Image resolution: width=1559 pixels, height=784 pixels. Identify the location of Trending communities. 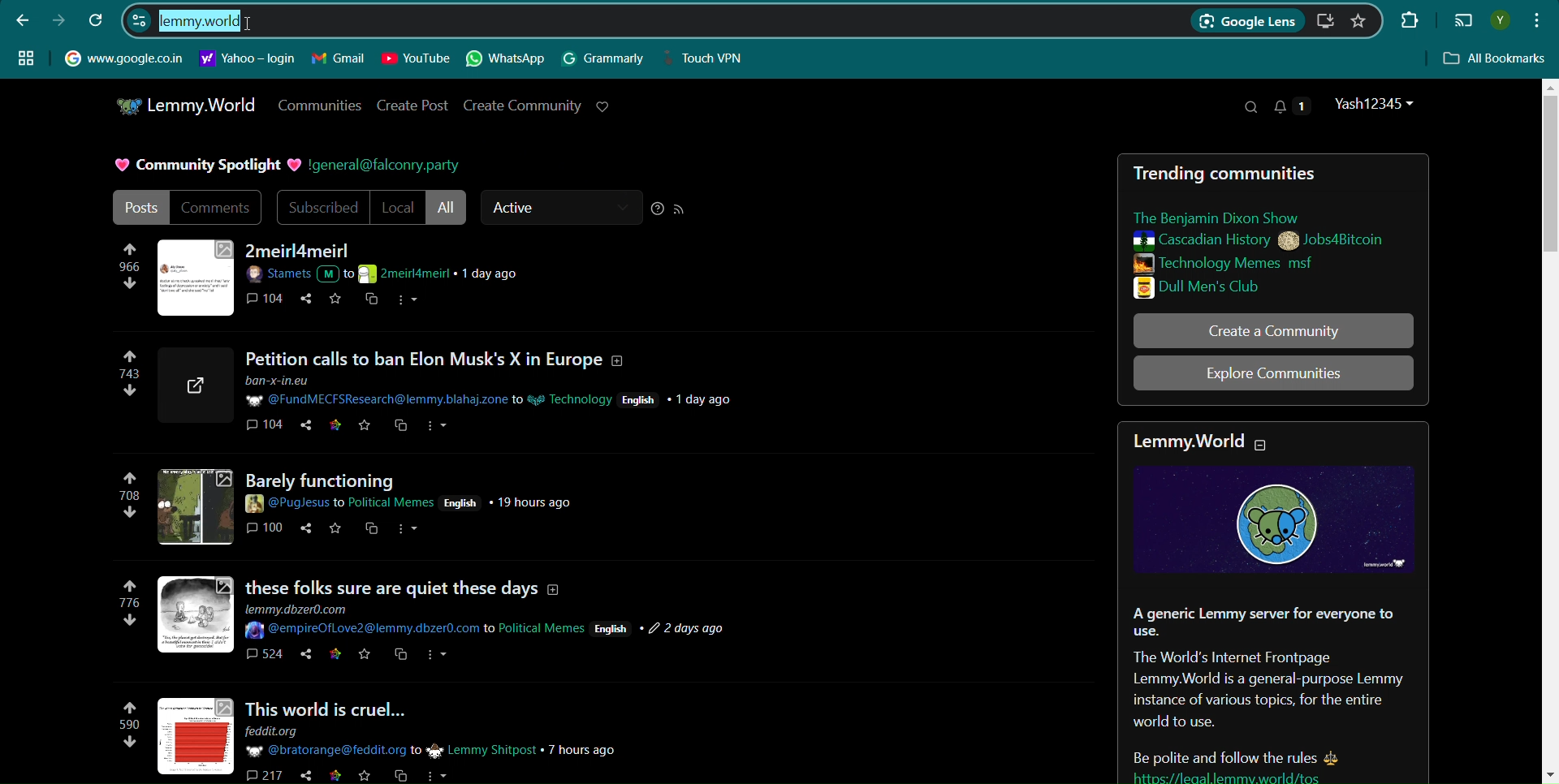
(1234, 173).